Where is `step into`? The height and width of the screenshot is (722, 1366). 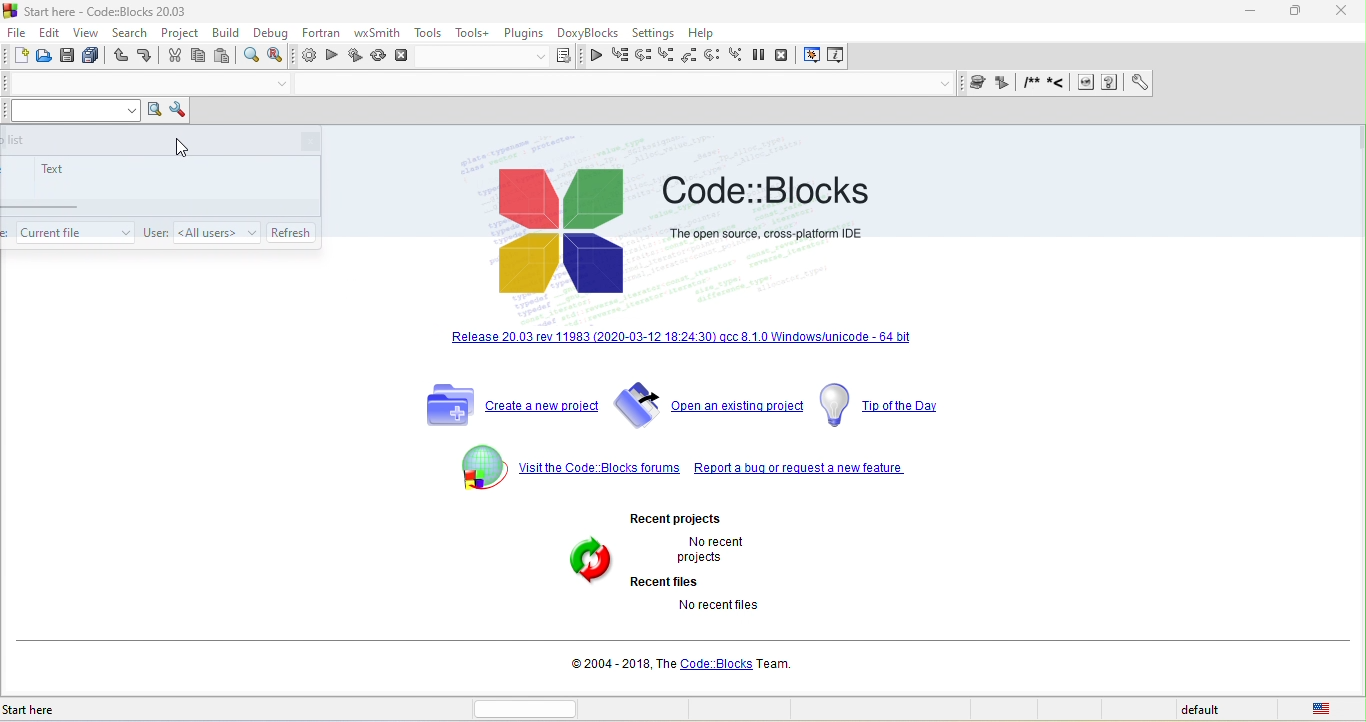 step into is located at coordinates (666, 56).